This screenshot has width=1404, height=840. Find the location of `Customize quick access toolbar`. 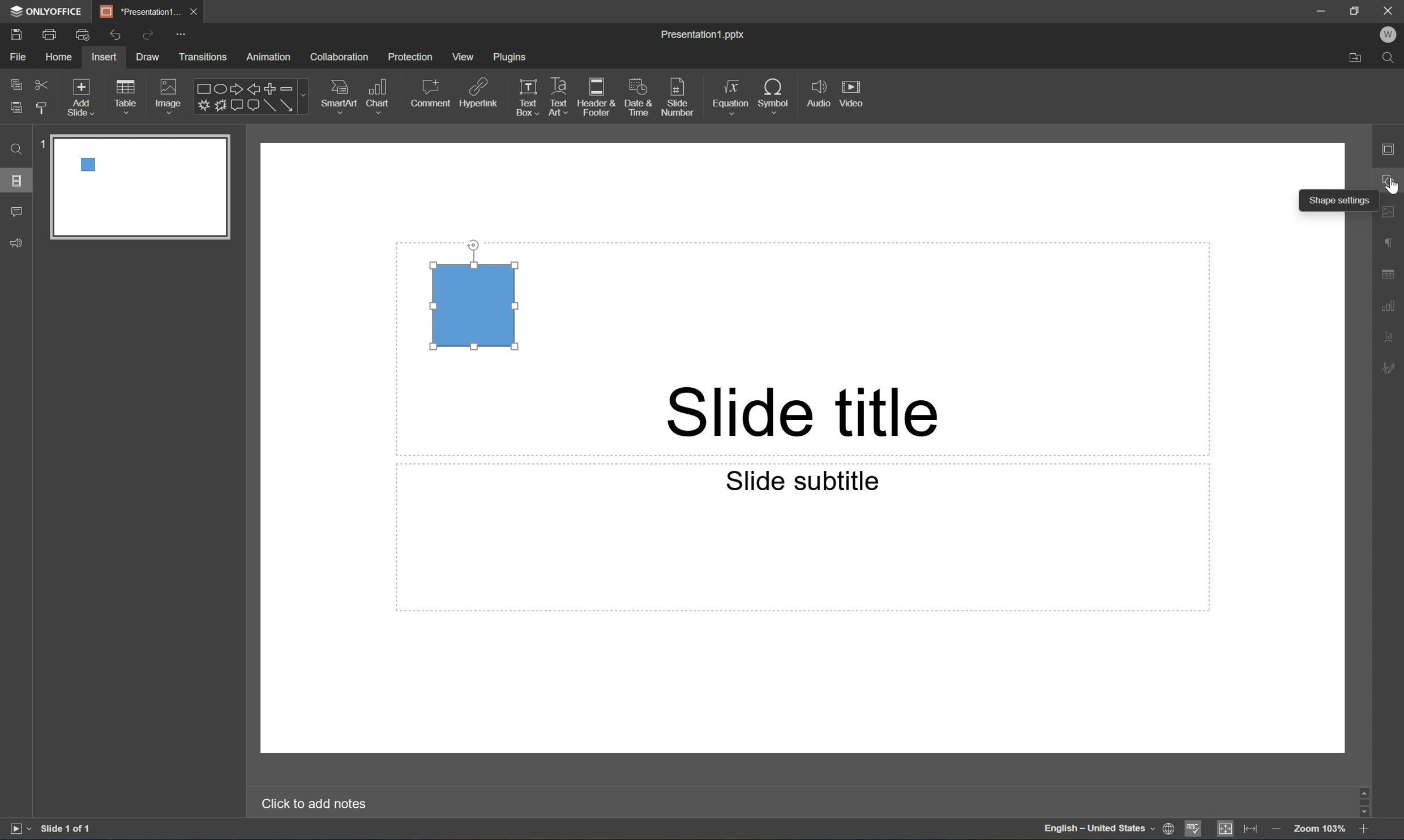

Customize quick access toolbar is located at coordinates (183, 36).